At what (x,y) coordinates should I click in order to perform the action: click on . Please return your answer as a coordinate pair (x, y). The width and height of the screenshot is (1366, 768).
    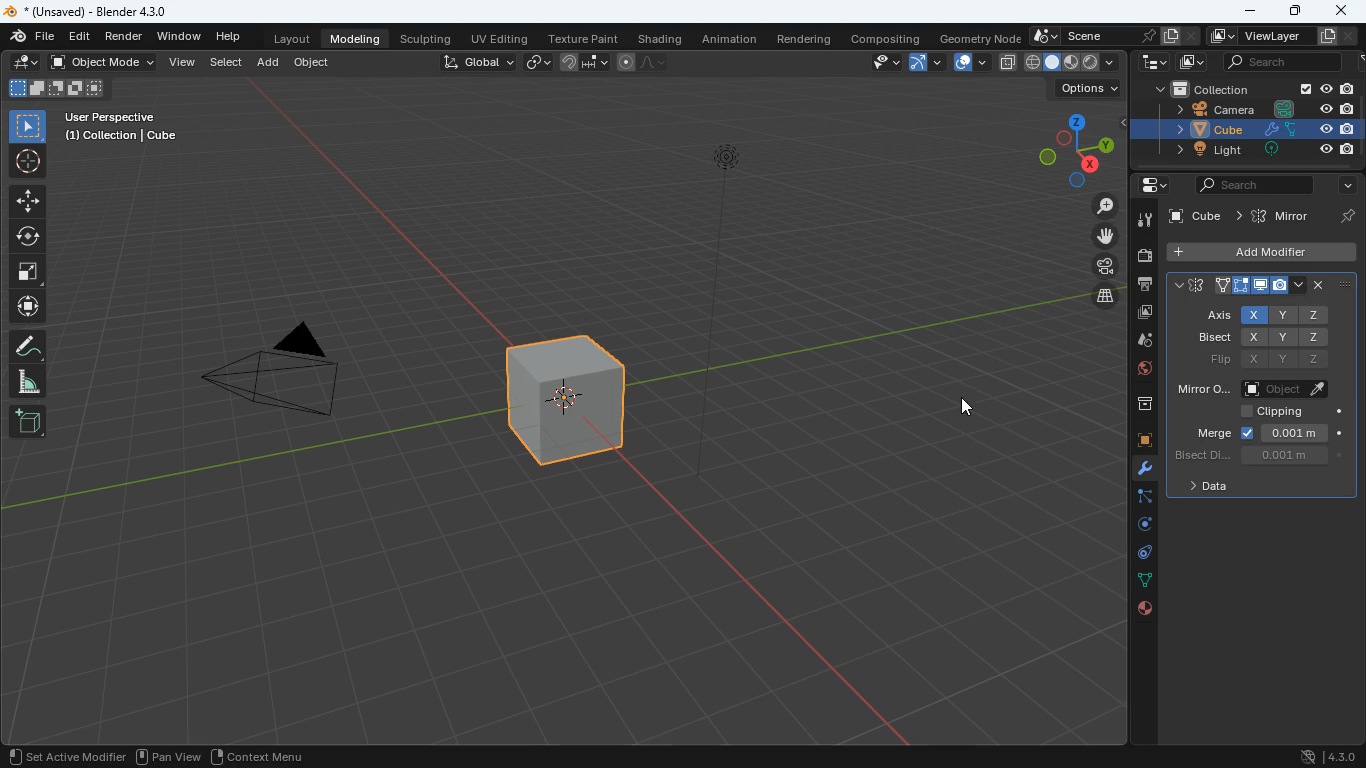
    Looking at the image, I should click on (123, 129).